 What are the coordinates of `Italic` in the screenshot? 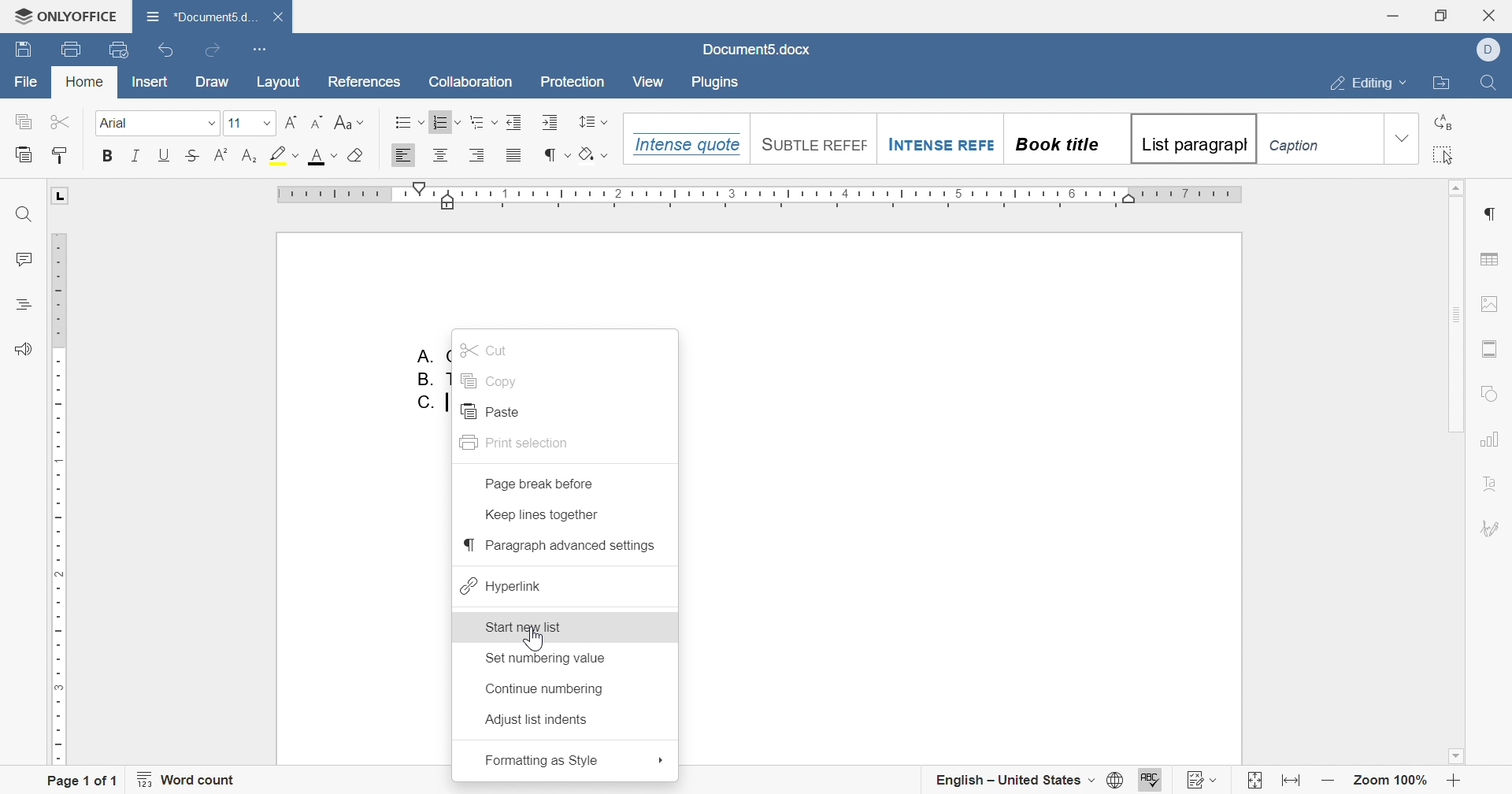 It's located at (136, 155).